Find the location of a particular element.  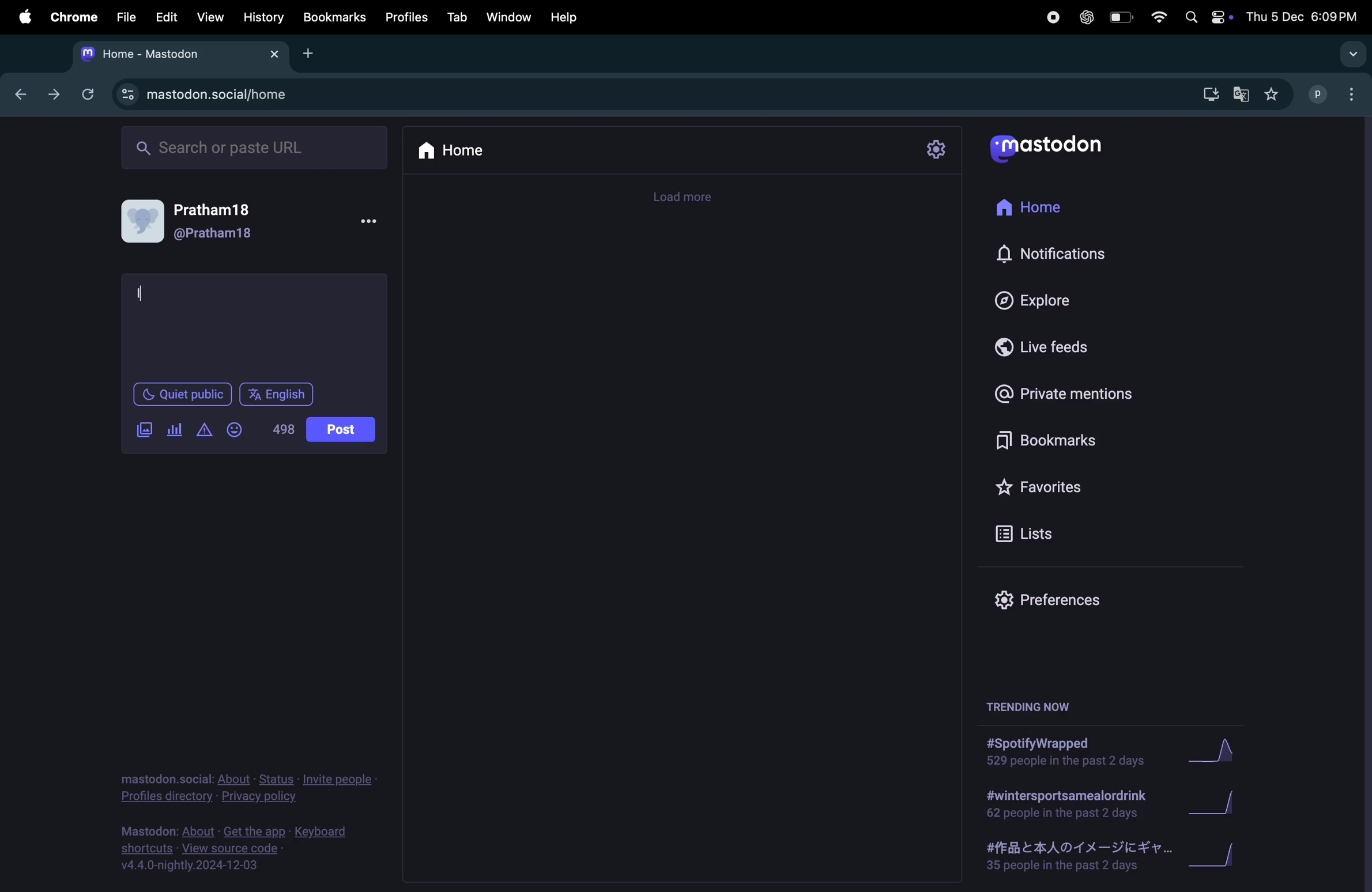

history is located at coordinates (265, 18).